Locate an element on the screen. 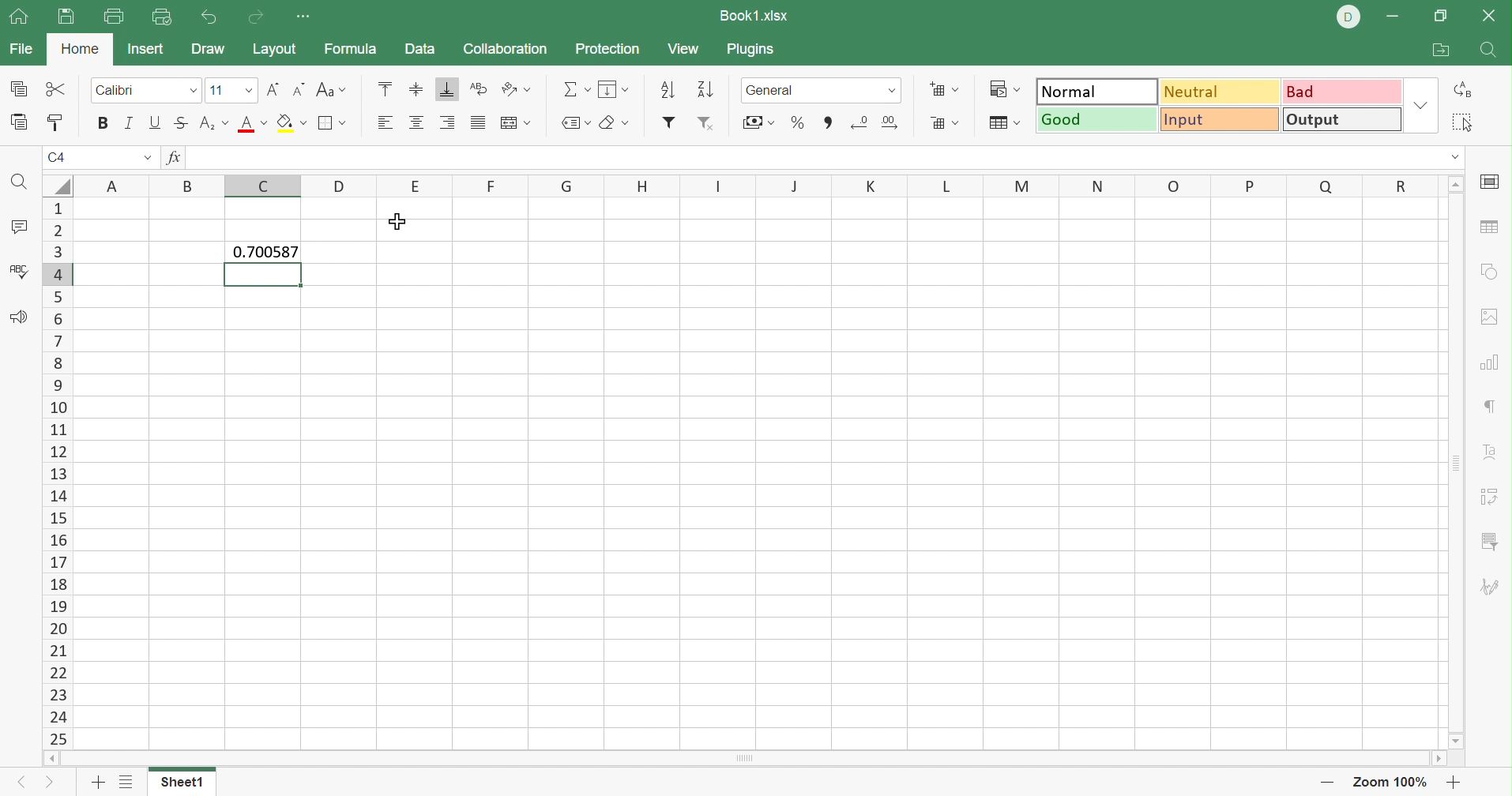 Image resolution: width=1512 pixels, height=796 pixels. Table settings is located at coordinates (1491, 229).